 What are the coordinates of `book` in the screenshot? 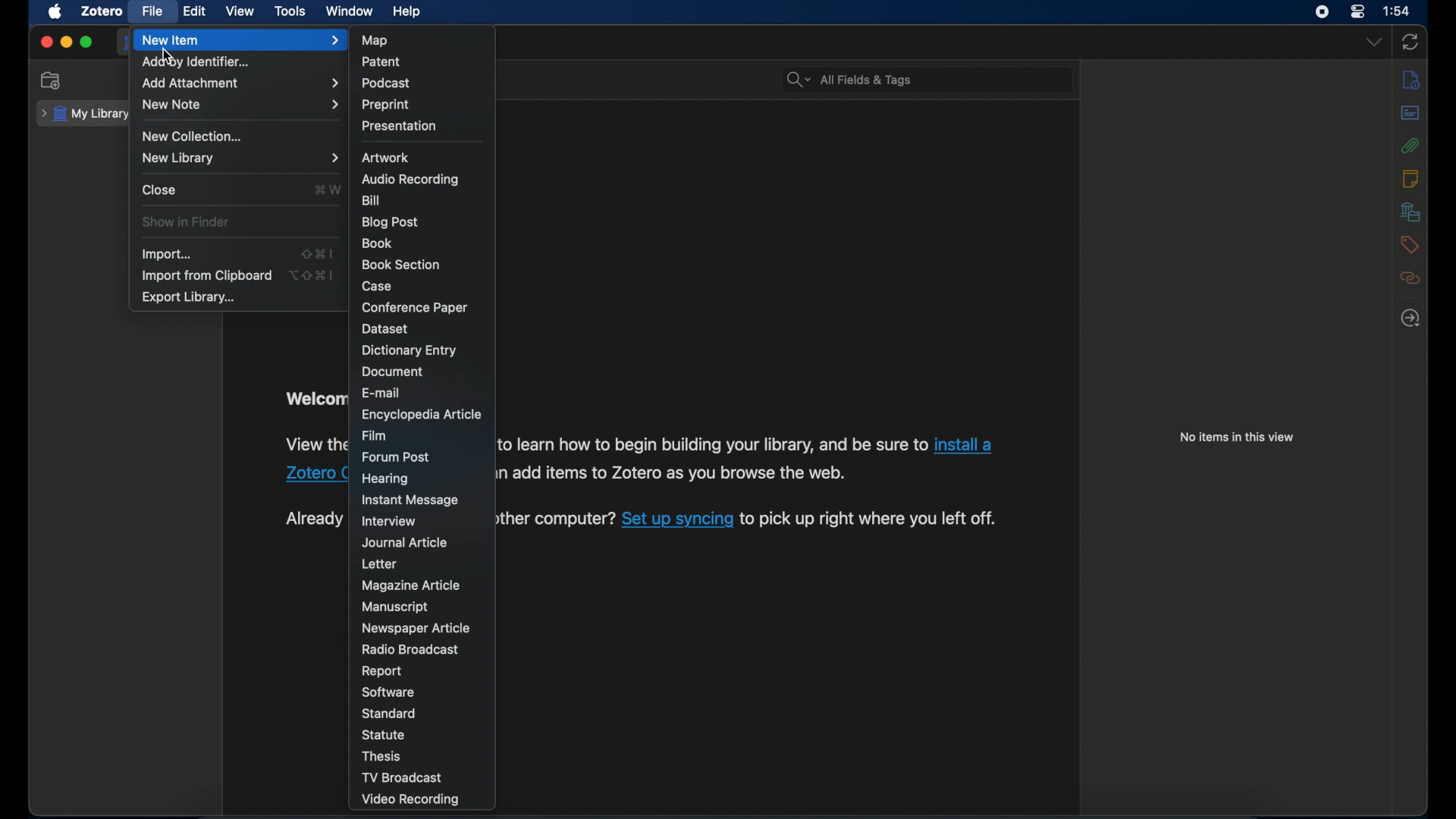 It's located at (378, 243).